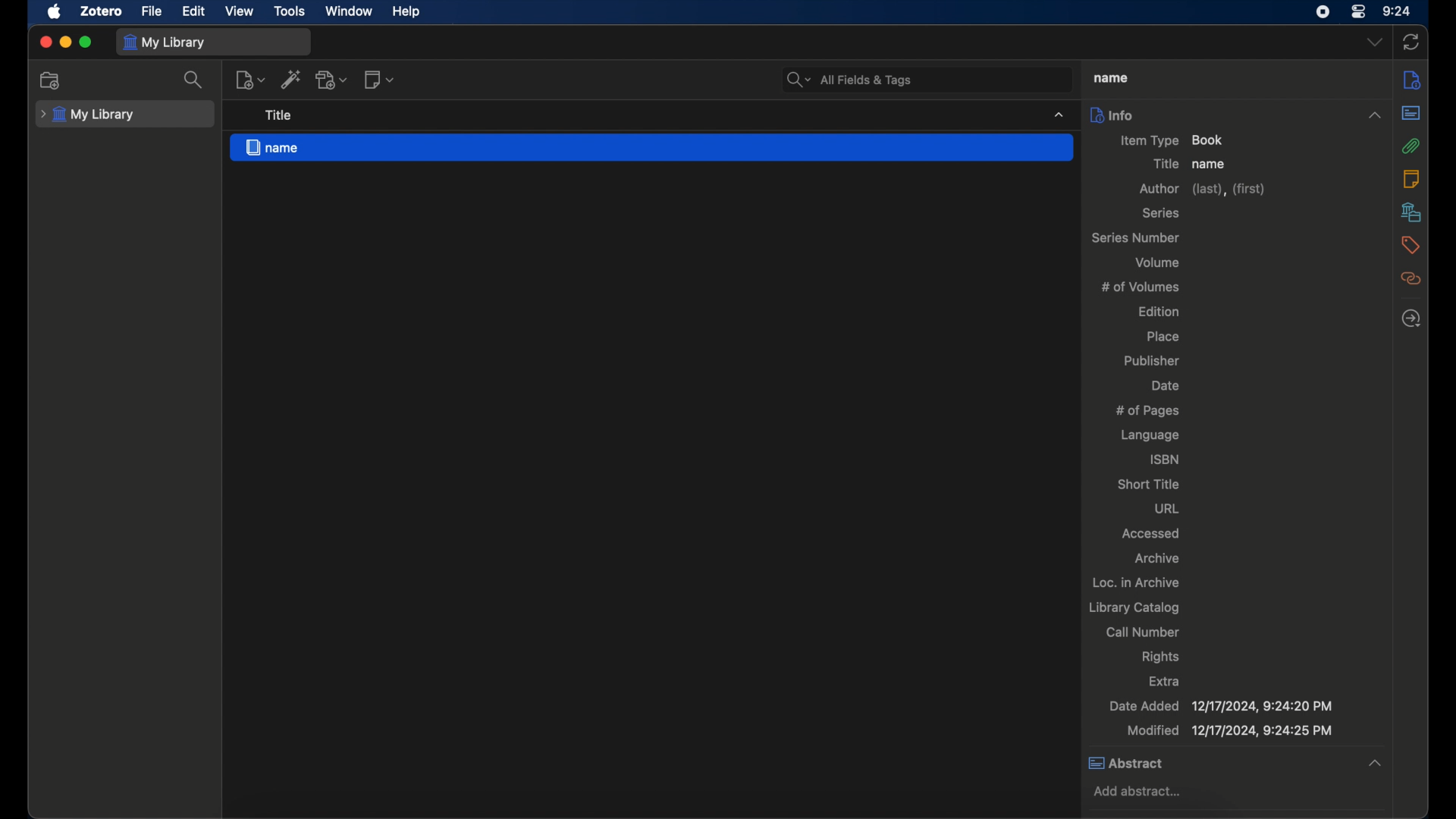 Image resolution: width=1456 pixels, height=819 pixels. I want to click on search, so click(195, 80).